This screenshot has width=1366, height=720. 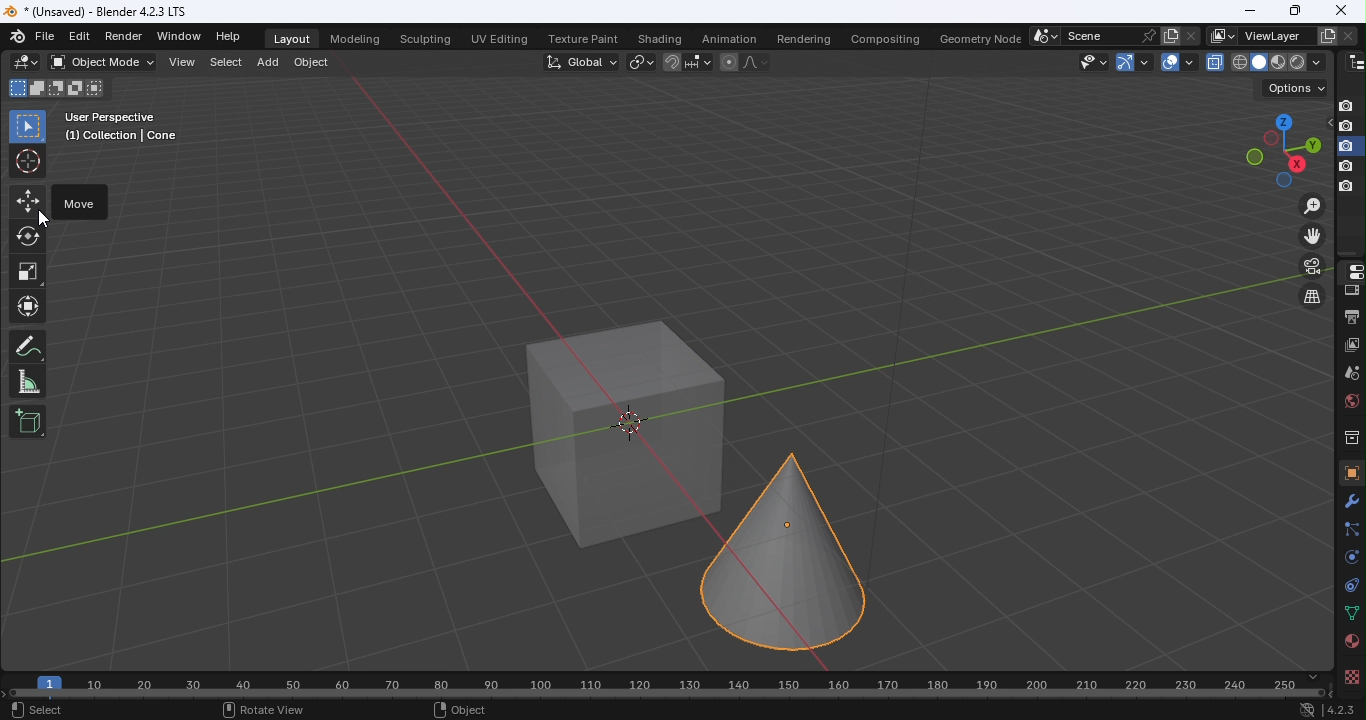 What do you see at coordinates (1222, 36) in the screenshot?
I see `The active workspace view layer showing in the window` at bounding box center [1222, 36].